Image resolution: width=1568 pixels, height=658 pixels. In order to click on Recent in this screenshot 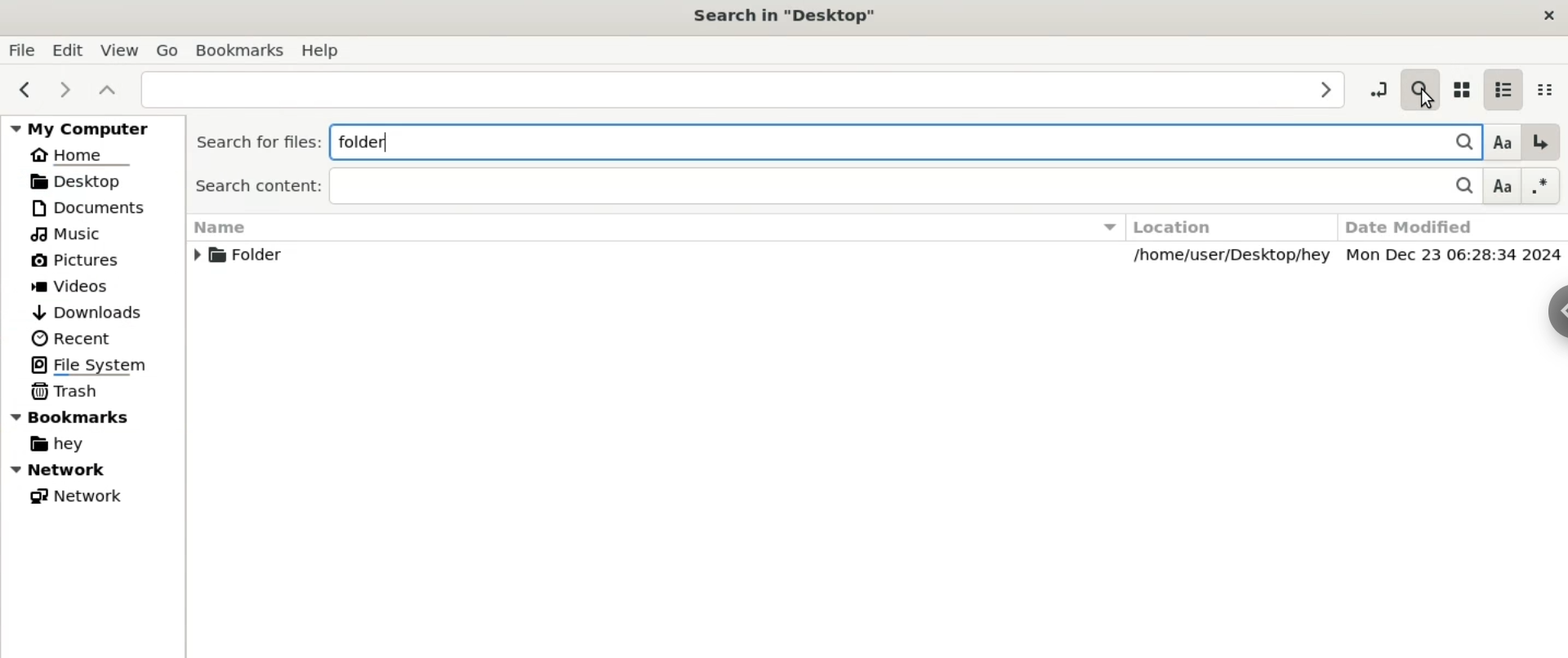, I will do `click(82, 339)`.